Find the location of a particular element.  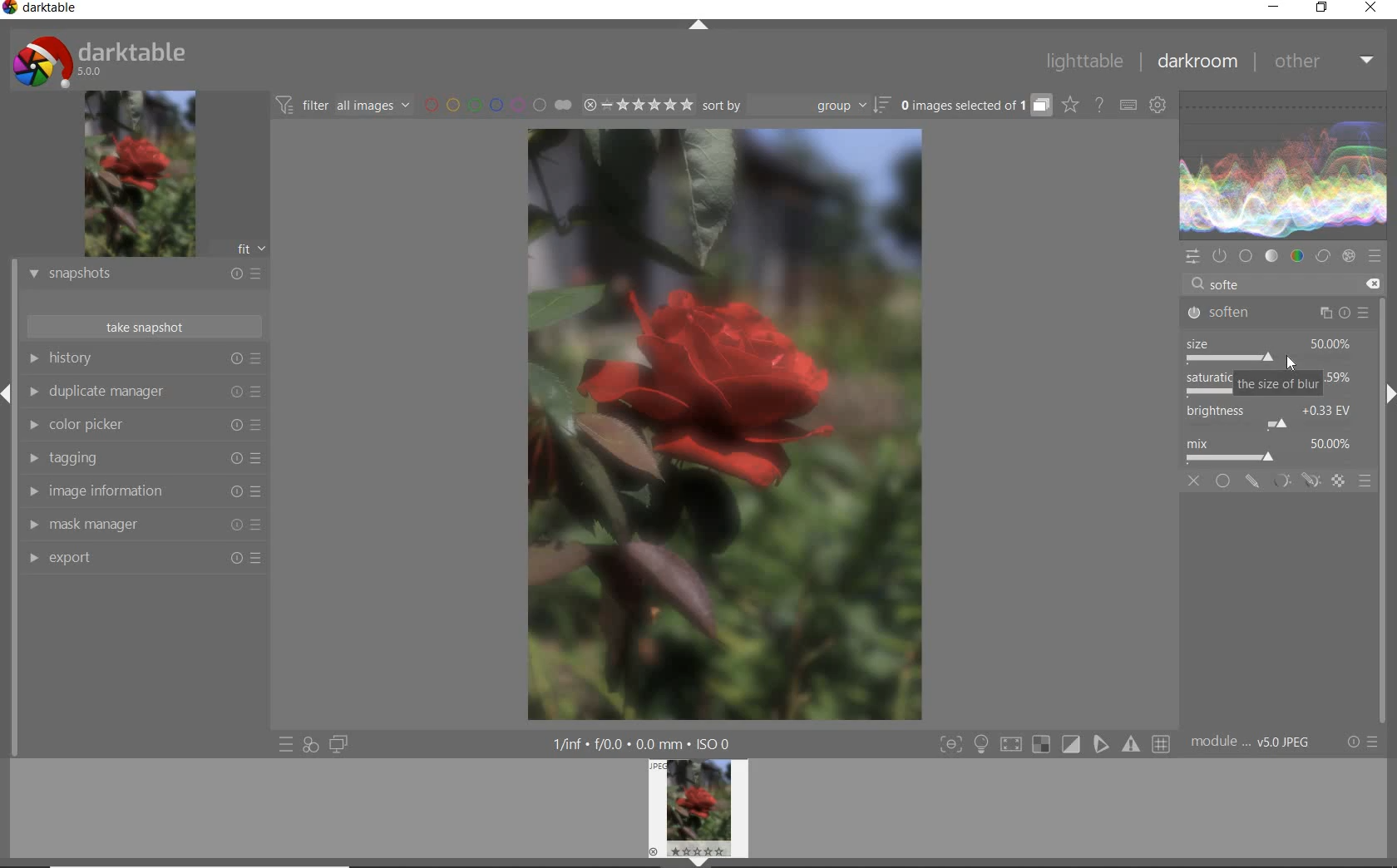

filter all images by module order is located at coordinates (342, 105).